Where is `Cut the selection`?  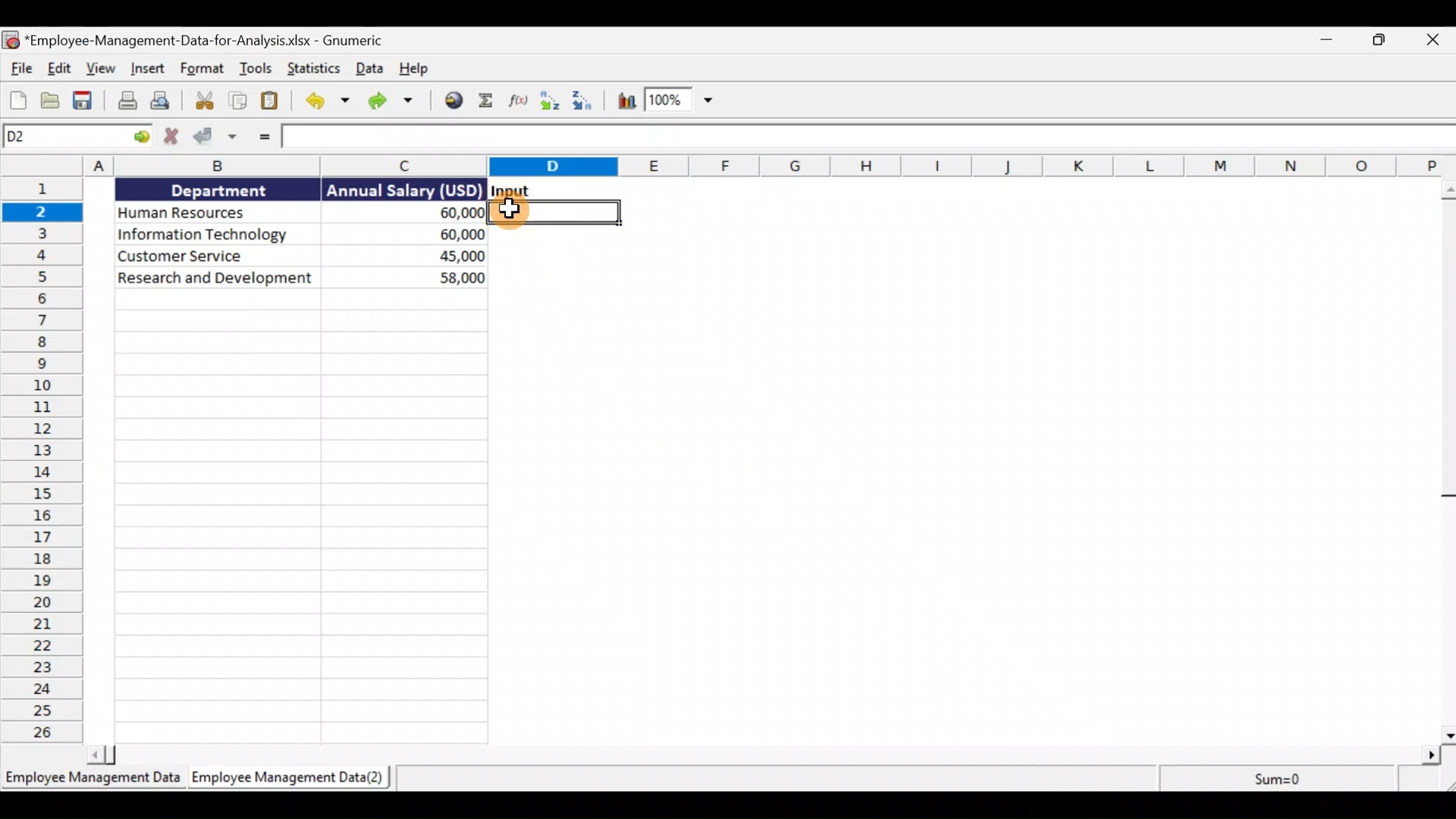
Cut the selection is located at coordinates (204, 102).